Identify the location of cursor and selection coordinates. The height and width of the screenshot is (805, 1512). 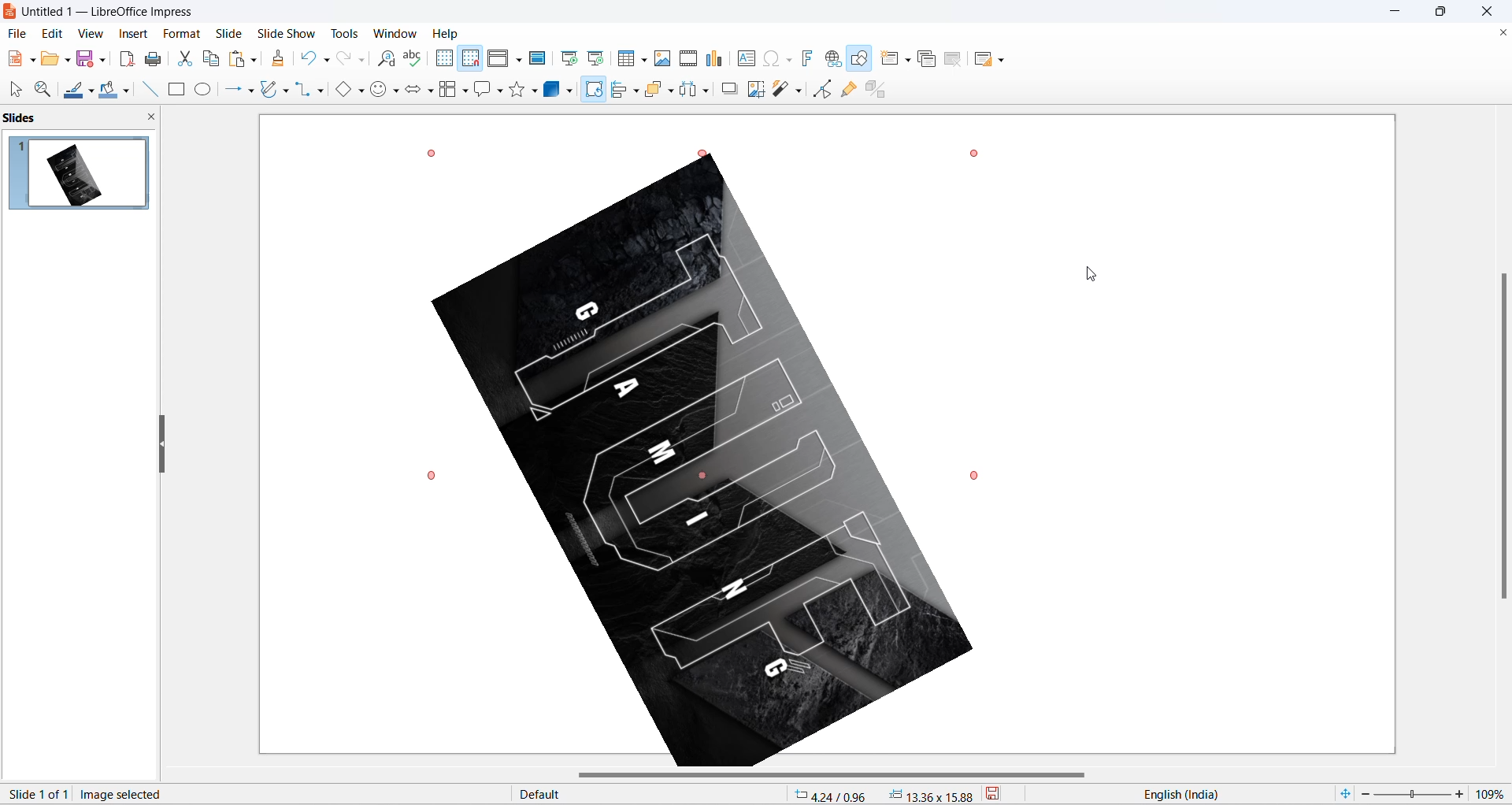
(884, 795).